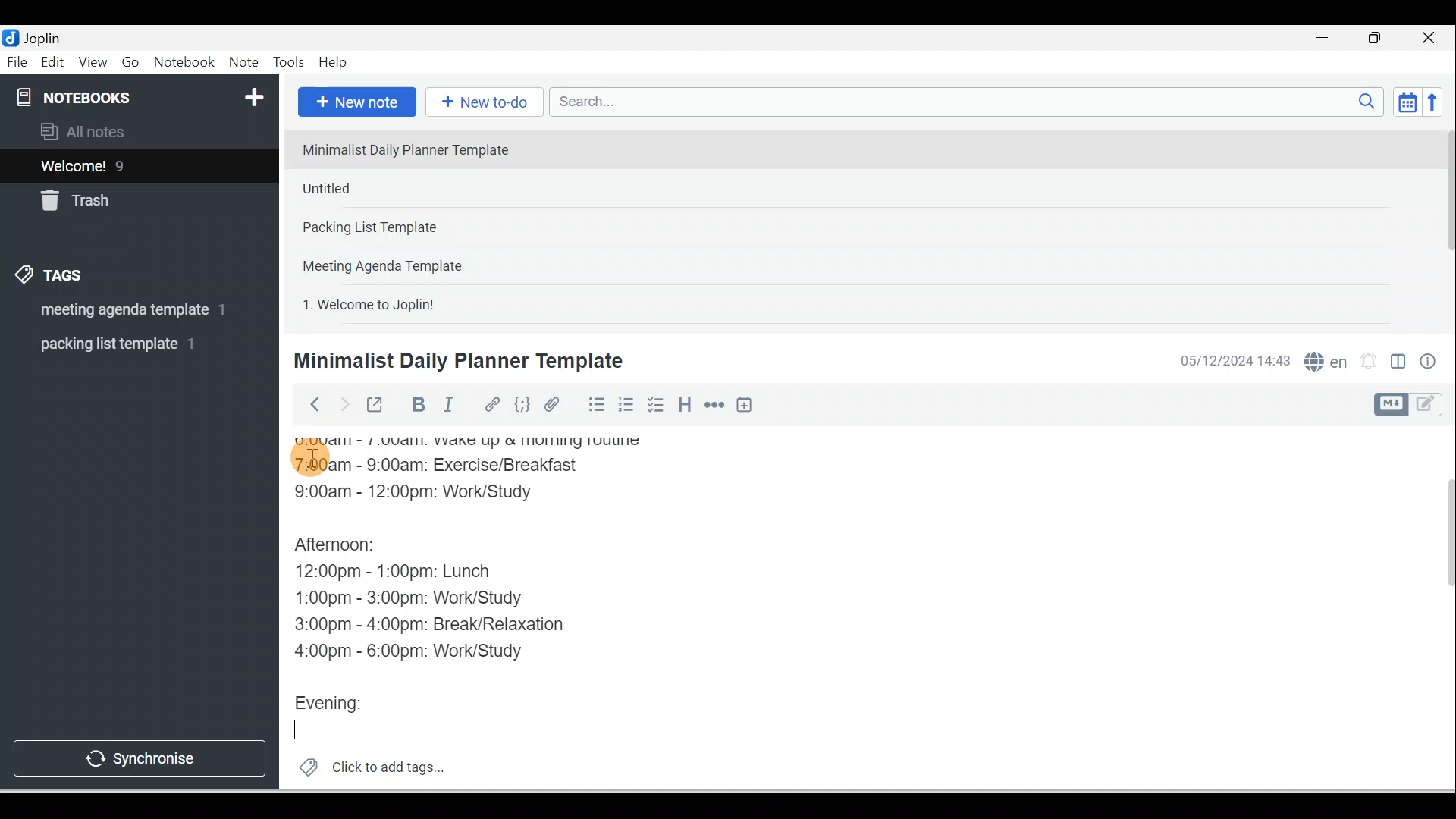  I want to click on View, so click(93, 63).